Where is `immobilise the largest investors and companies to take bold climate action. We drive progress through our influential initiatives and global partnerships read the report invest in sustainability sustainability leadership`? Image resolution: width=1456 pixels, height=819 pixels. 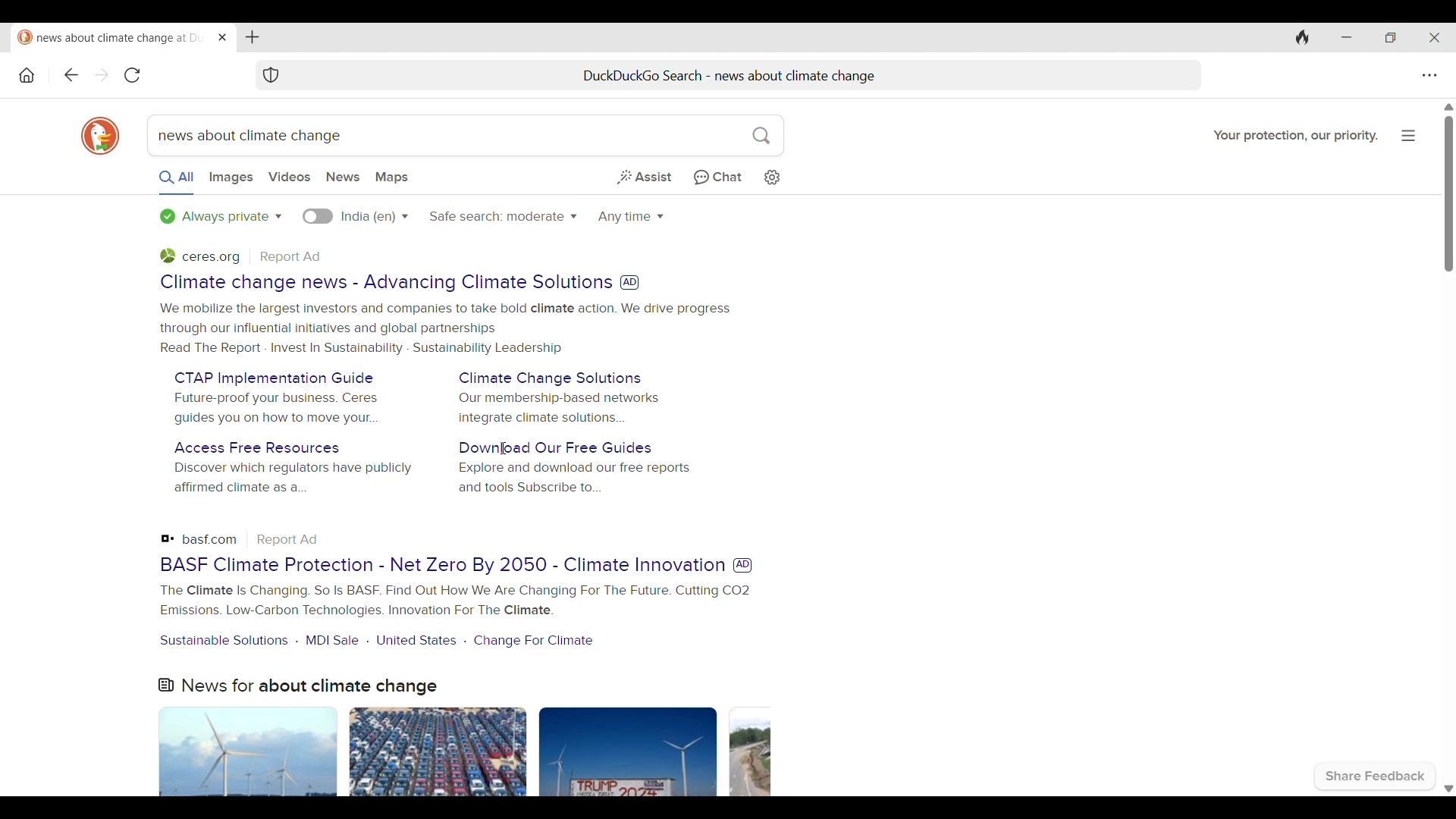 immobilise the largest investors and companies to take bold climate action. We drive progress through our influential initiatives and global partnerships read the report invest in sustainability sustainability leadership is located at coordinates (444, 328).